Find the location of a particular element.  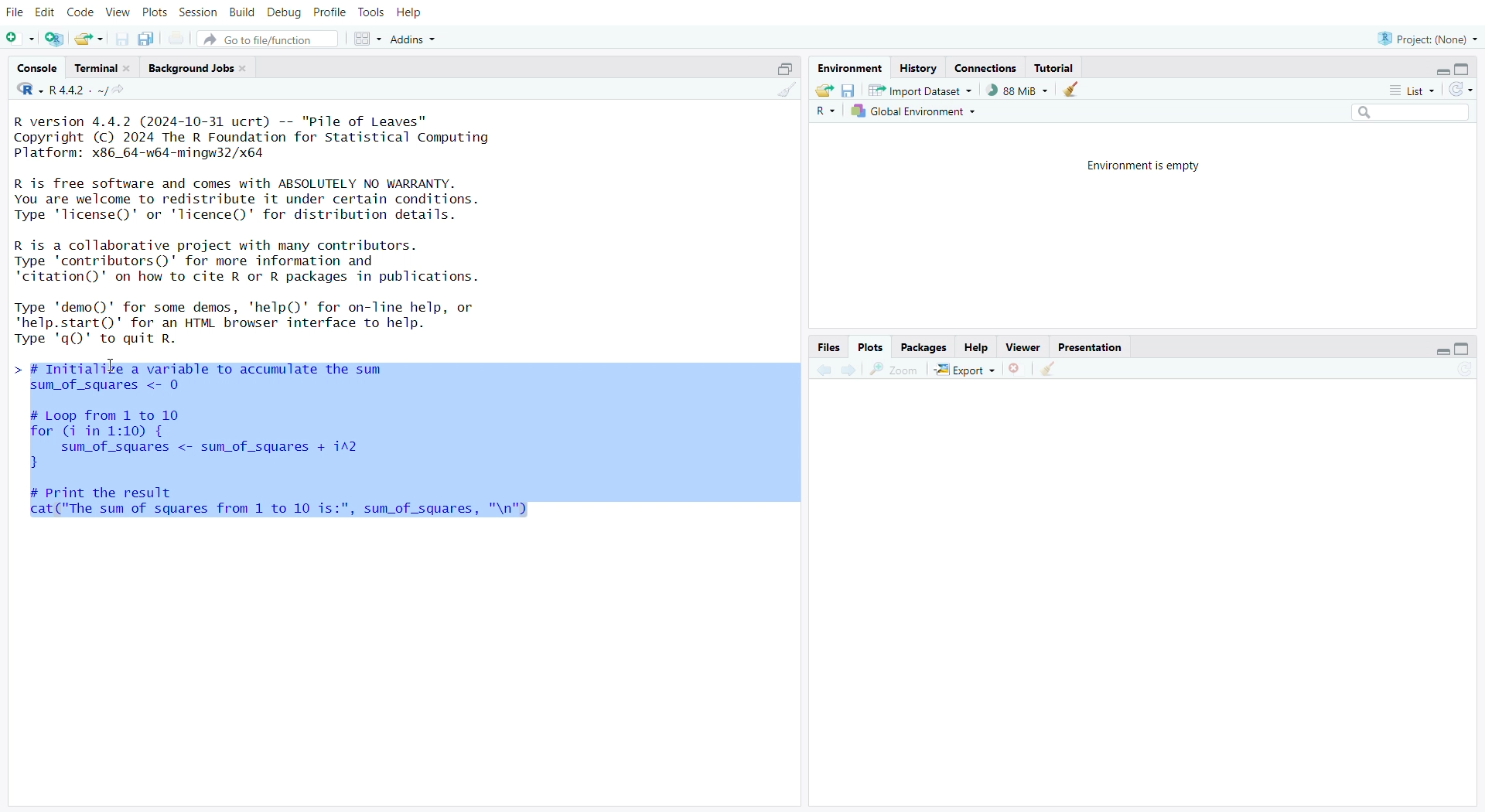

R is free software and comes with ABSOLUTELY NO WARRANTY.
You are welcome to redistribute it under certain conditions.
Type 'license()' or 'licence()' for distribution details. is located at coordinates (257, 200).